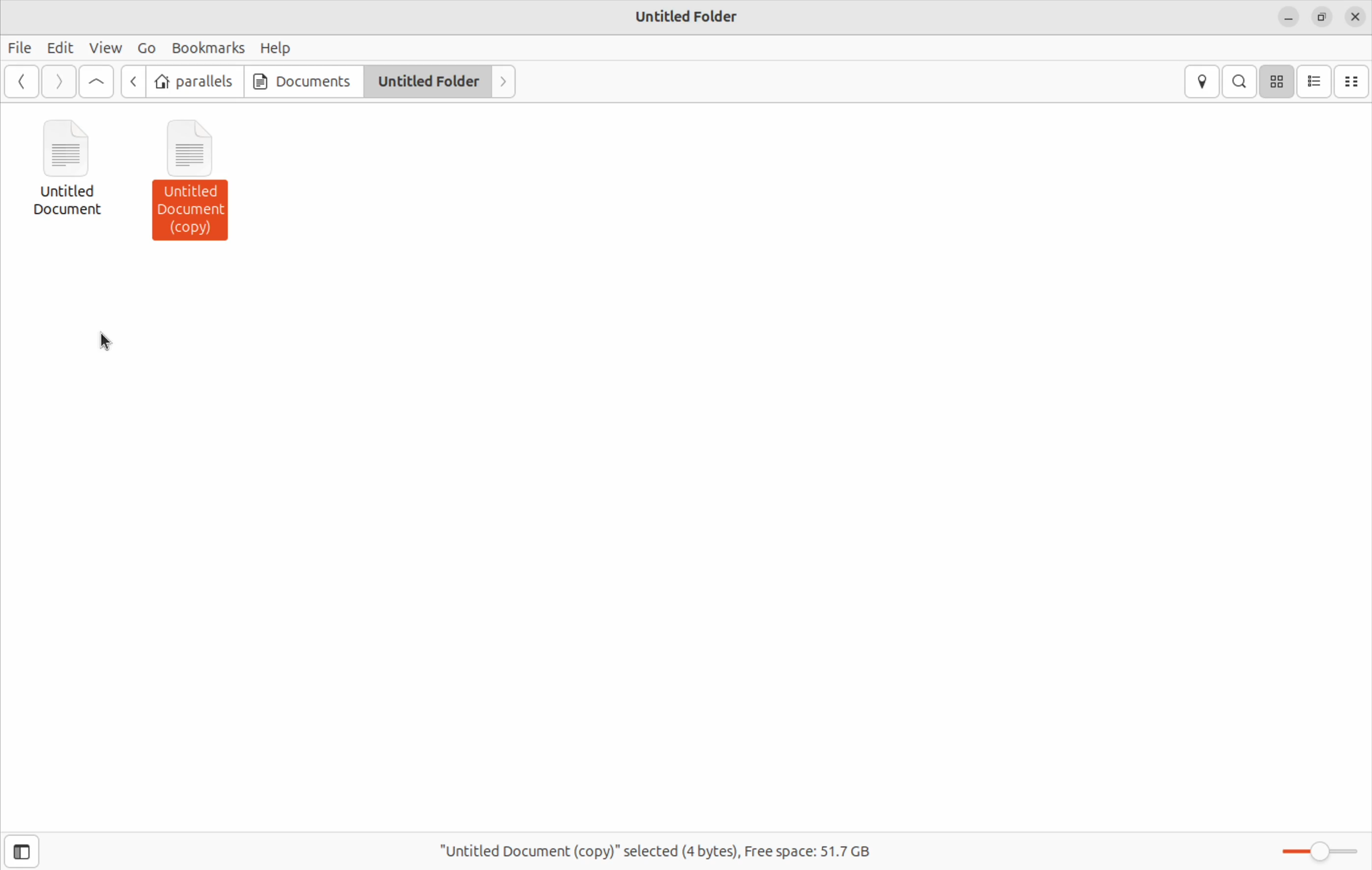 The height and width of the screenshot is (870, 1372). I want to click on File, so click(18, 48).